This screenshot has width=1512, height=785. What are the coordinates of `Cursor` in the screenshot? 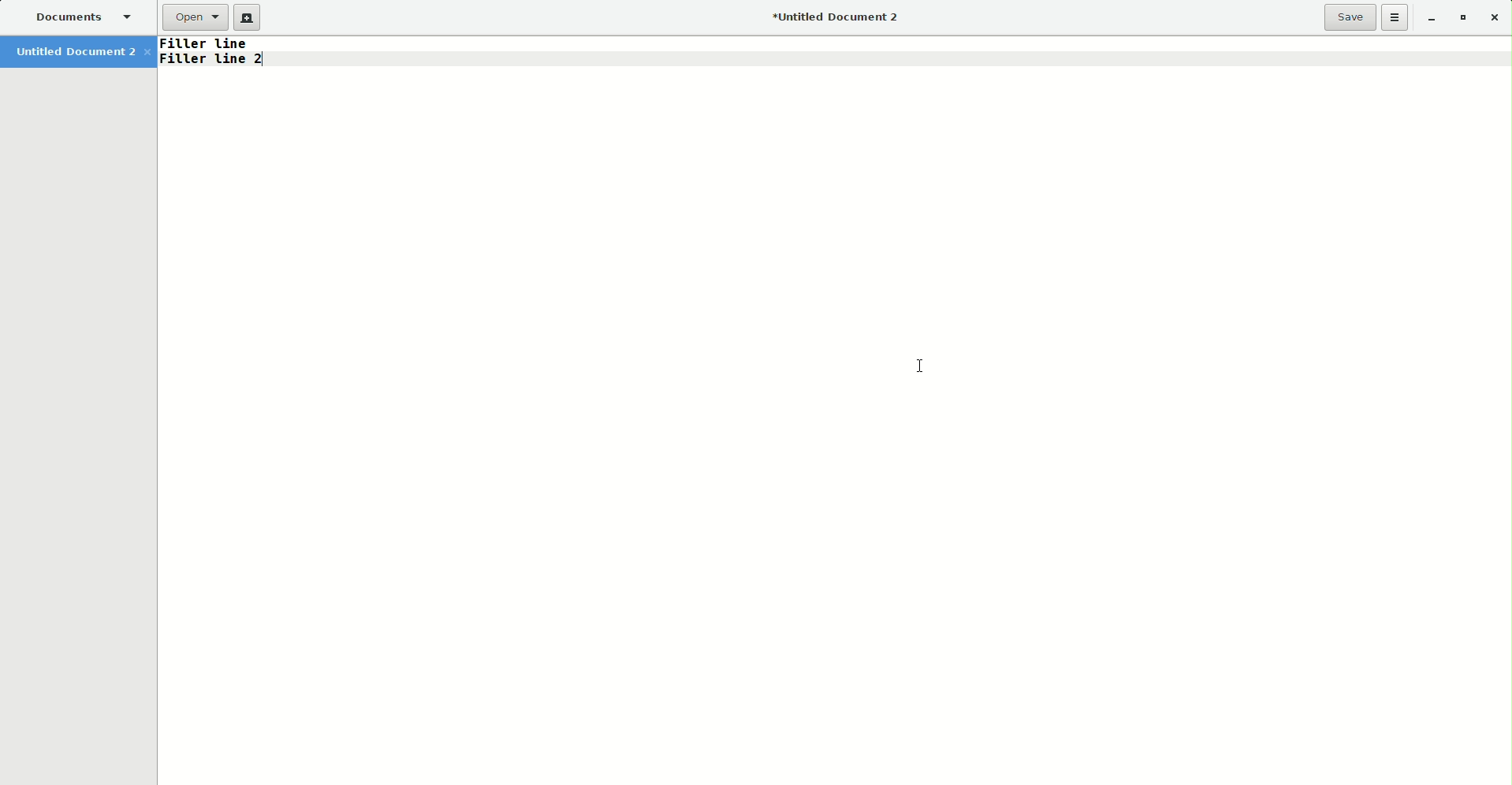 It's located at (923, 364).